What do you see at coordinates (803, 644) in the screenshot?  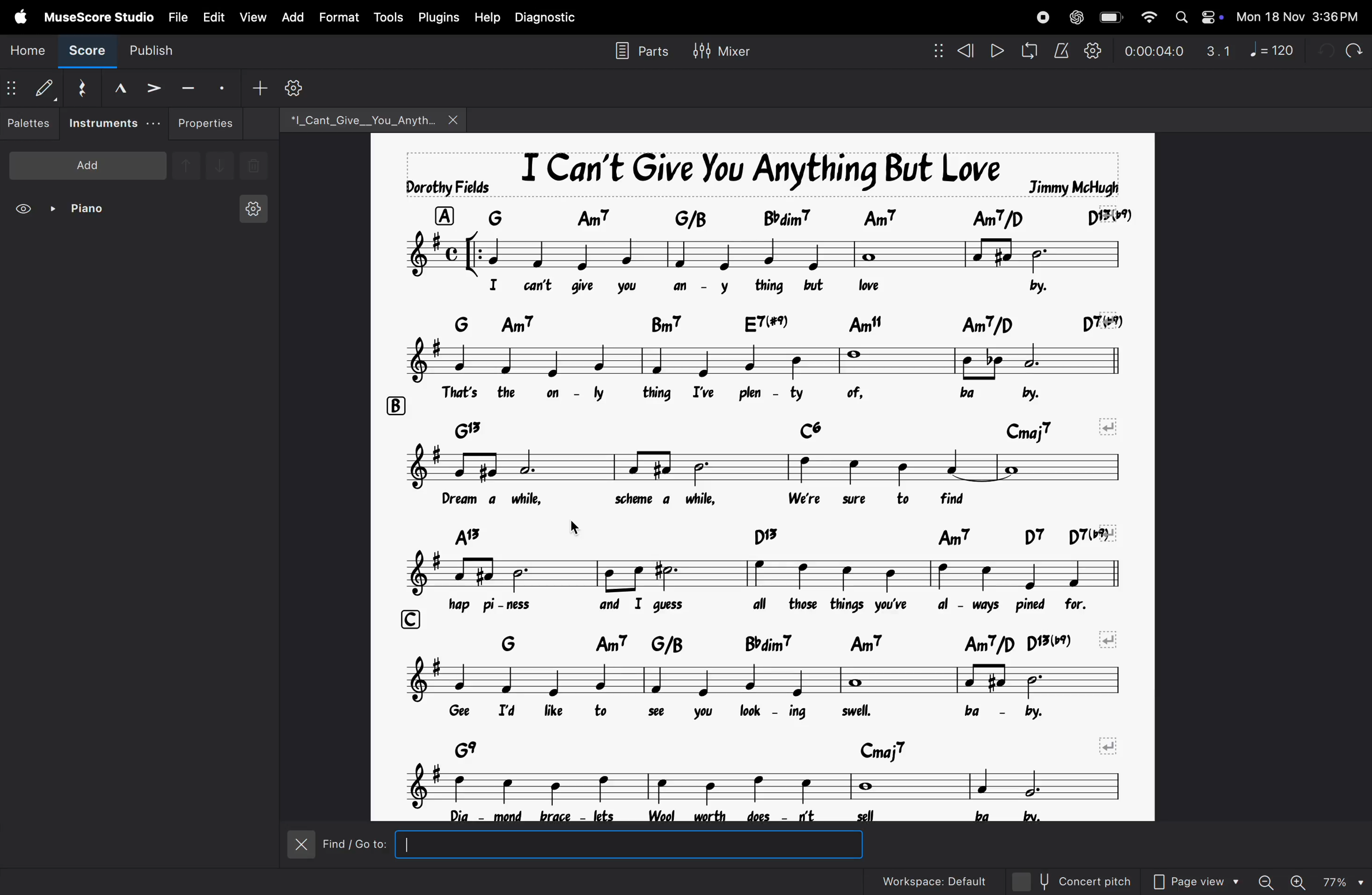 I see `chord symbols` at bounding box center [803, 644].